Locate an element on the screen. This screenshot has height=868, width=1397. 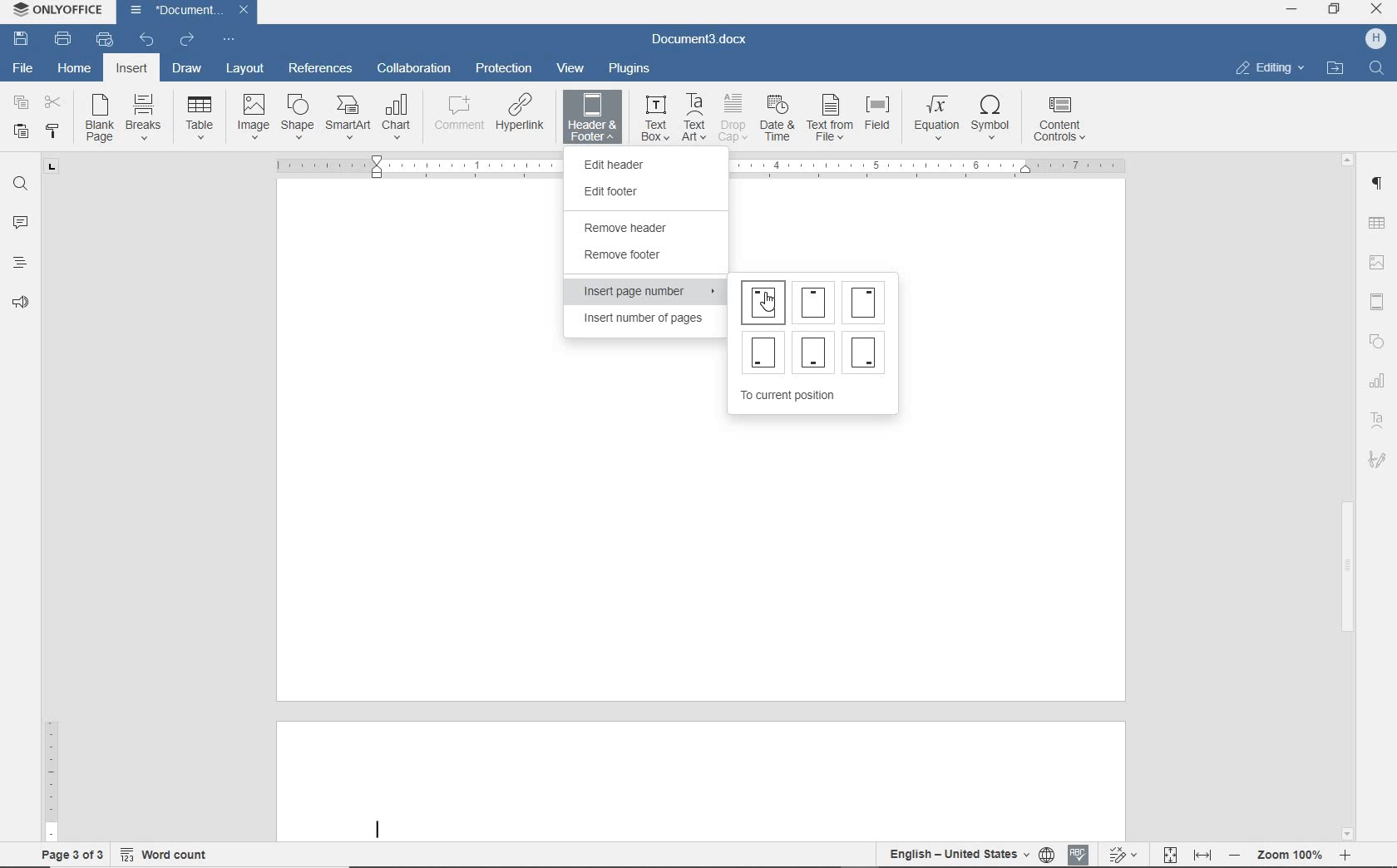
TABLE is located at coordinates (200, 118).